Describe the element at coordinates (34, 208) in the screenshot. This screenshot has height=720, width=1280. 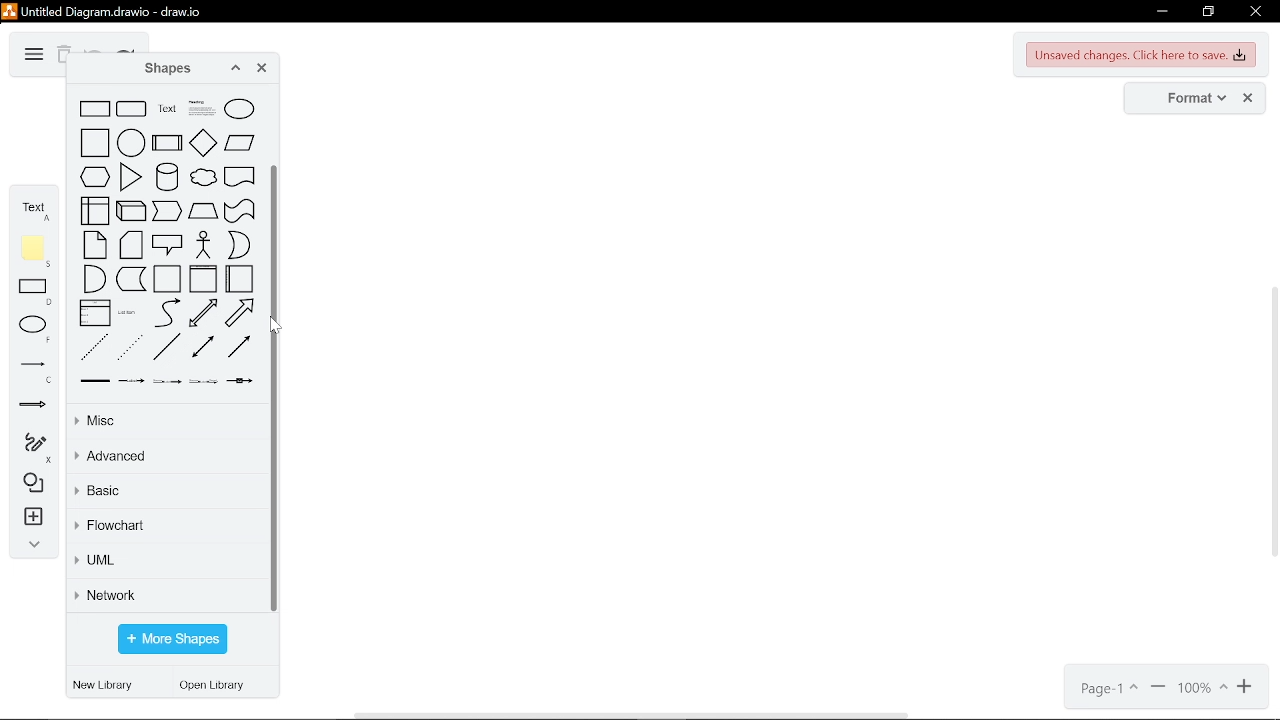
I see `text` at that location.